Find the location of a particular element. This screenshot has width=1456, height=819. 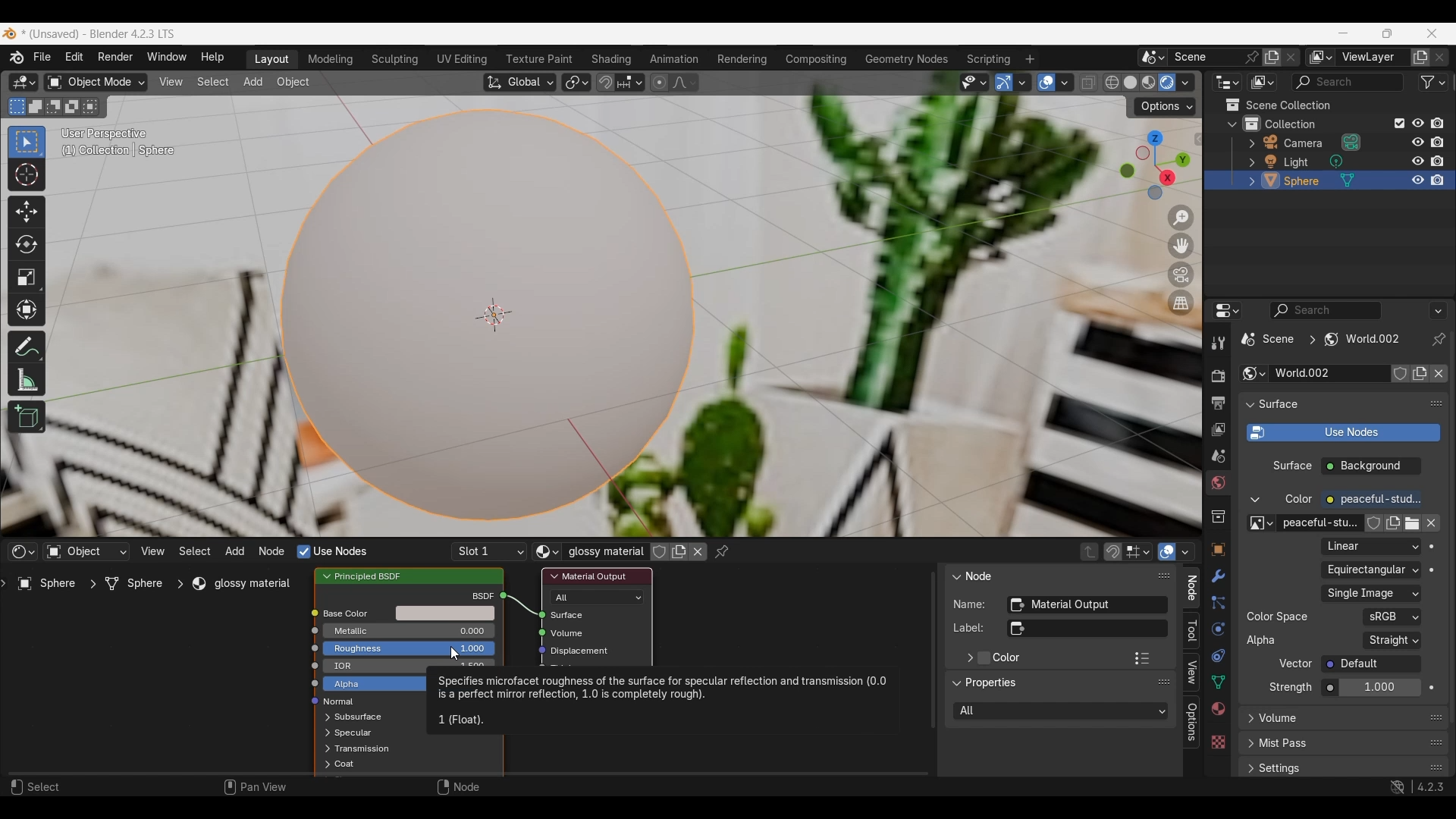

Add workspace is located at coordinates (1031, 58).